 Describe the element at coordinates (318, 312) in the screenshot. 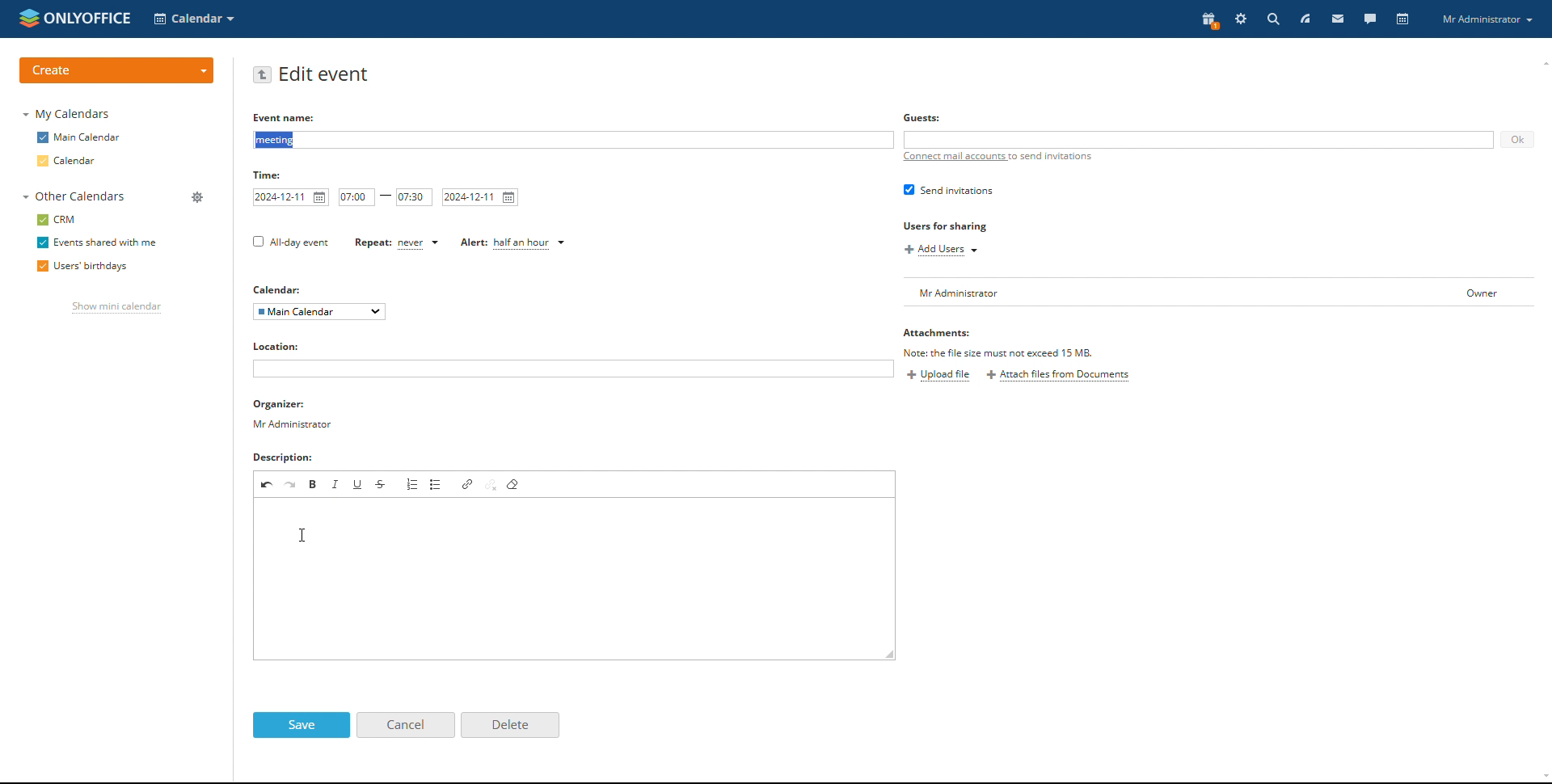

I see `select calendar` at that location.